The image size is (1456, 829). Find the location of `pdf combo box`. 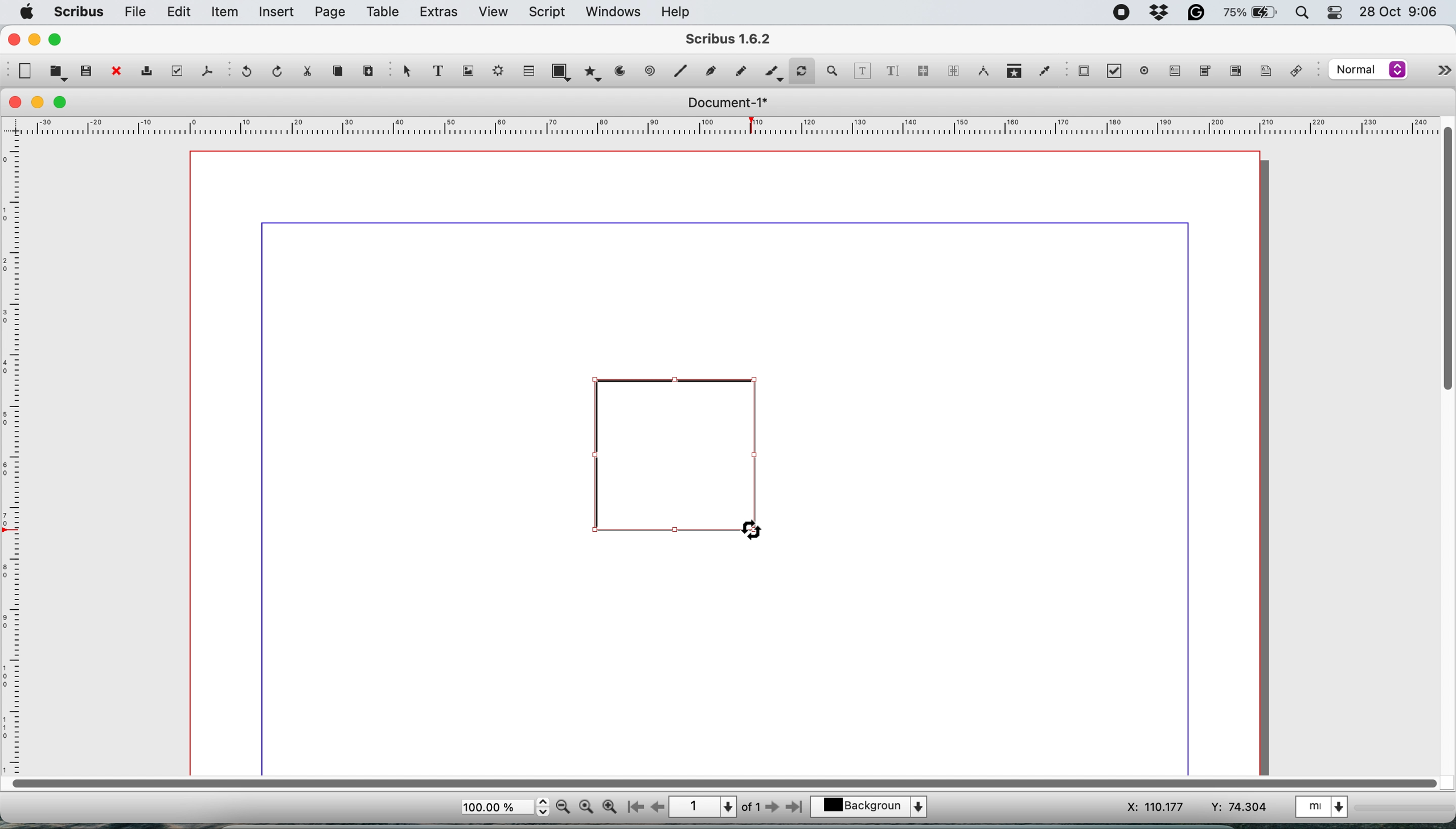

pdf combo box is located at coordinates (1204, 70).